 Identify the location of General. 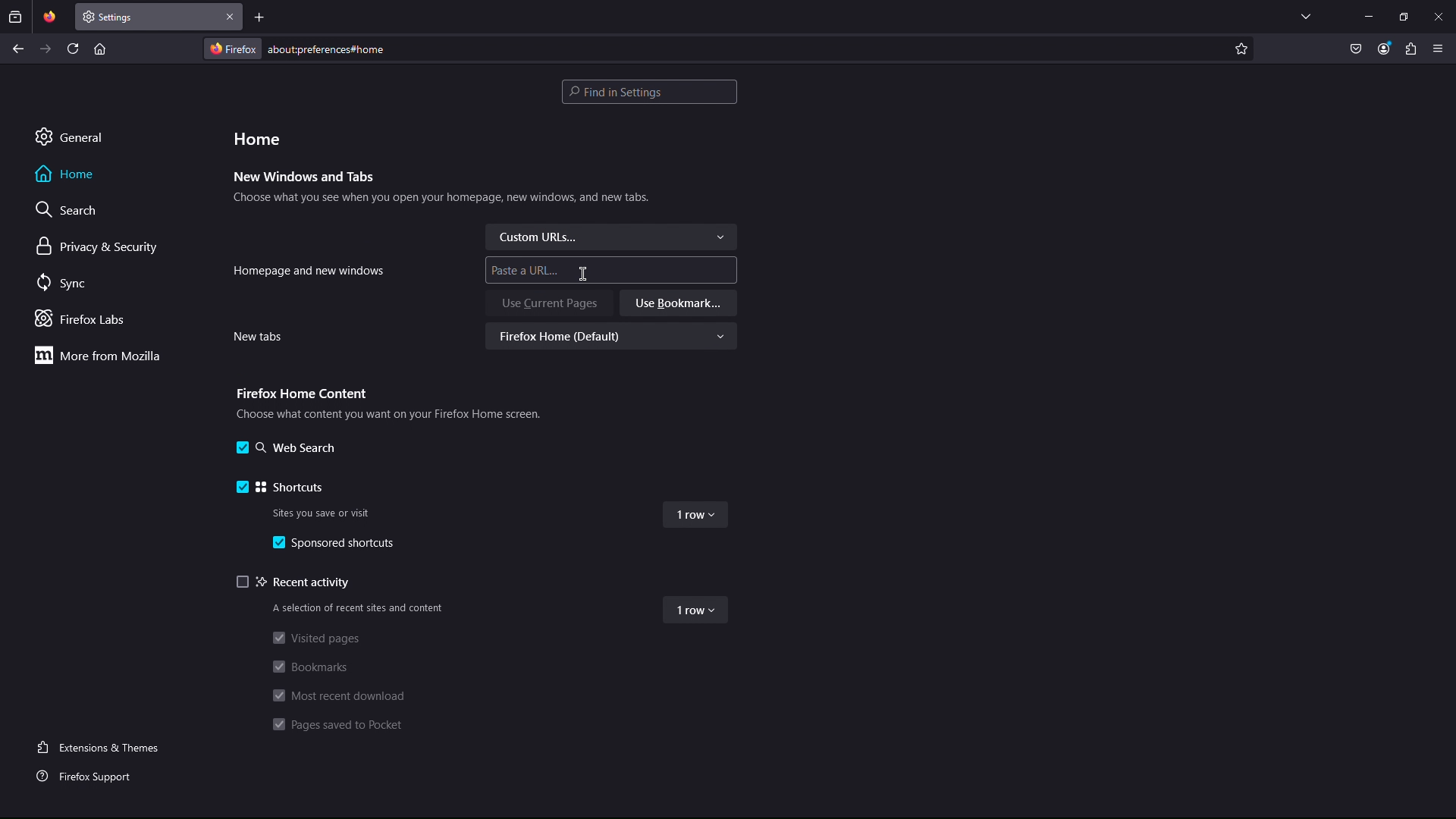
(69, 136).